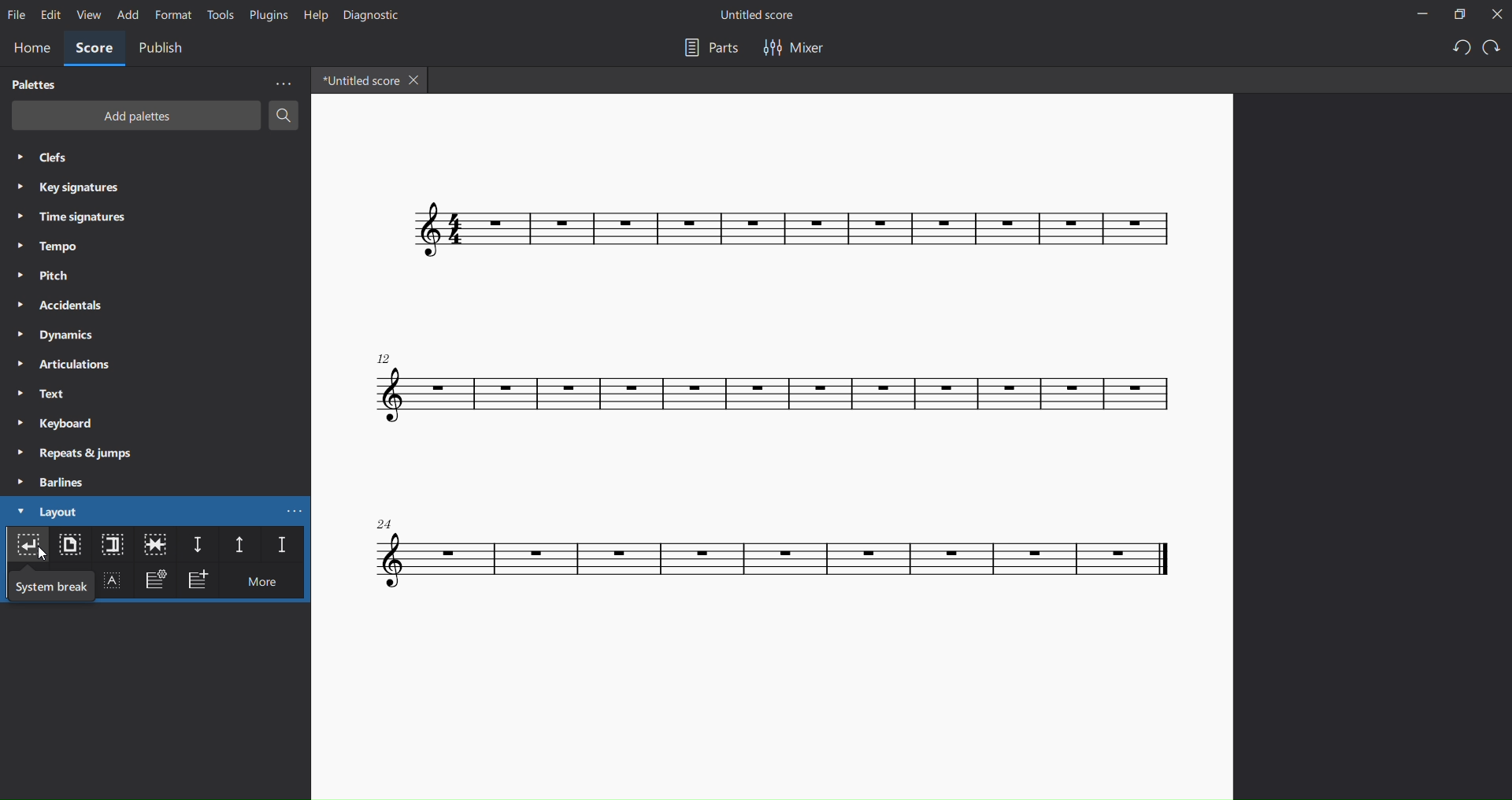 Image resolution: width=1512 pixels, height=800 pixels. Describe the element at coordinates (417, 82) in the screenshot. I see `close tab` at that location.